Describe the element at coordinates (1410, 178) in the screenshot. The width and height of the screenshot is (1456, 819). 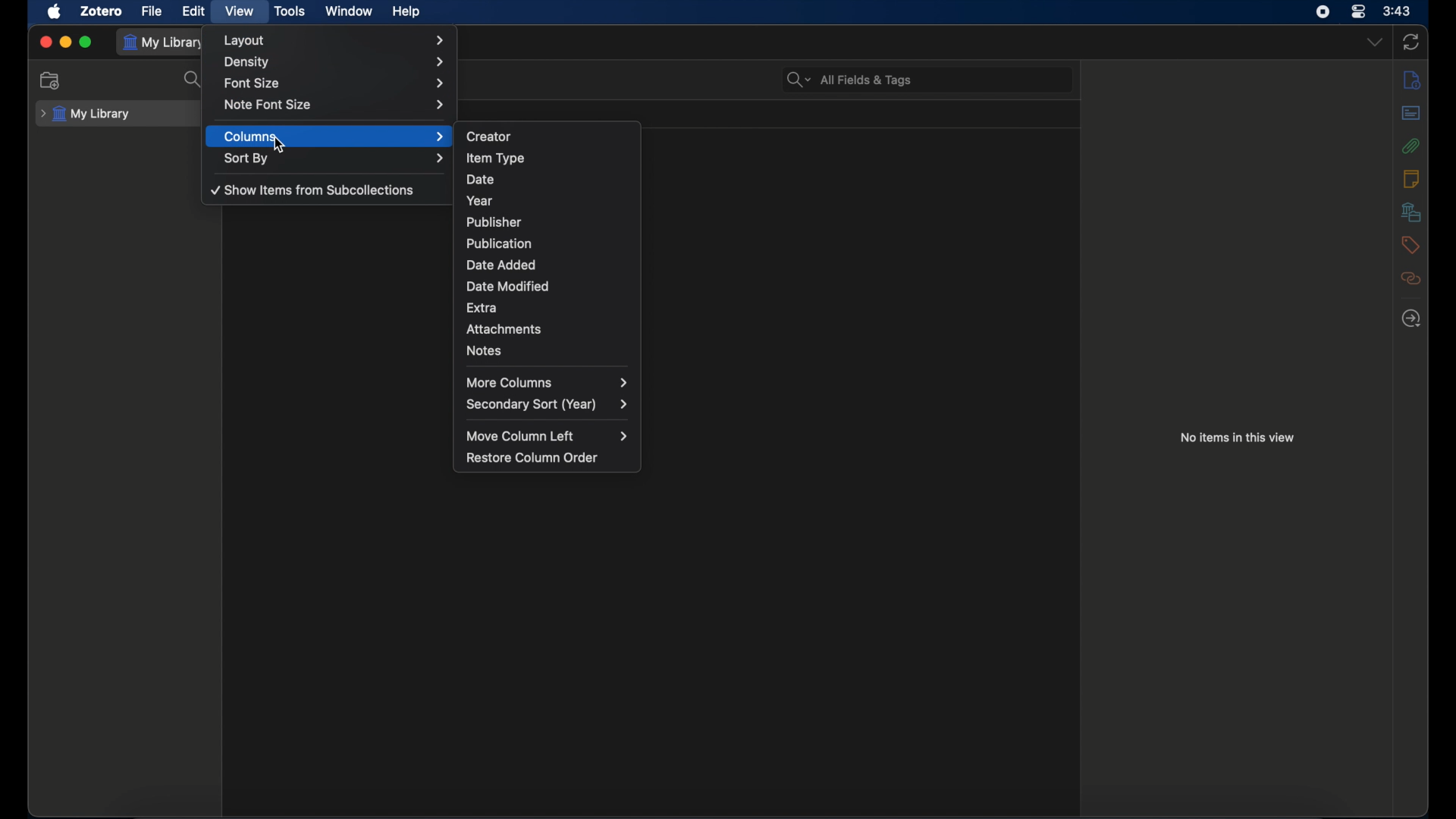
I see `notes` at that location.